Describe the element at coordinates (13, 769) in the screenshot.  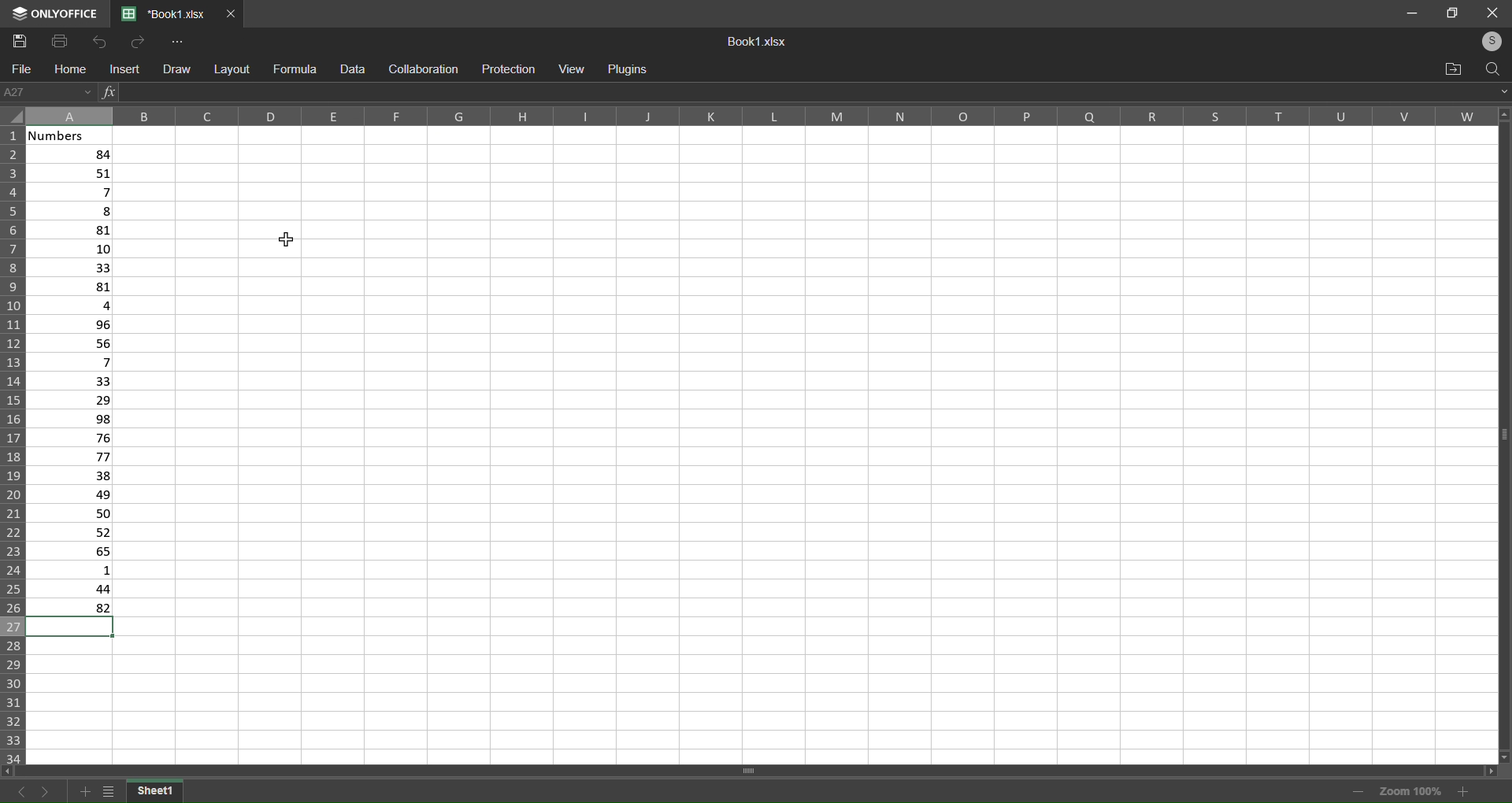
I see `move left` at that location.